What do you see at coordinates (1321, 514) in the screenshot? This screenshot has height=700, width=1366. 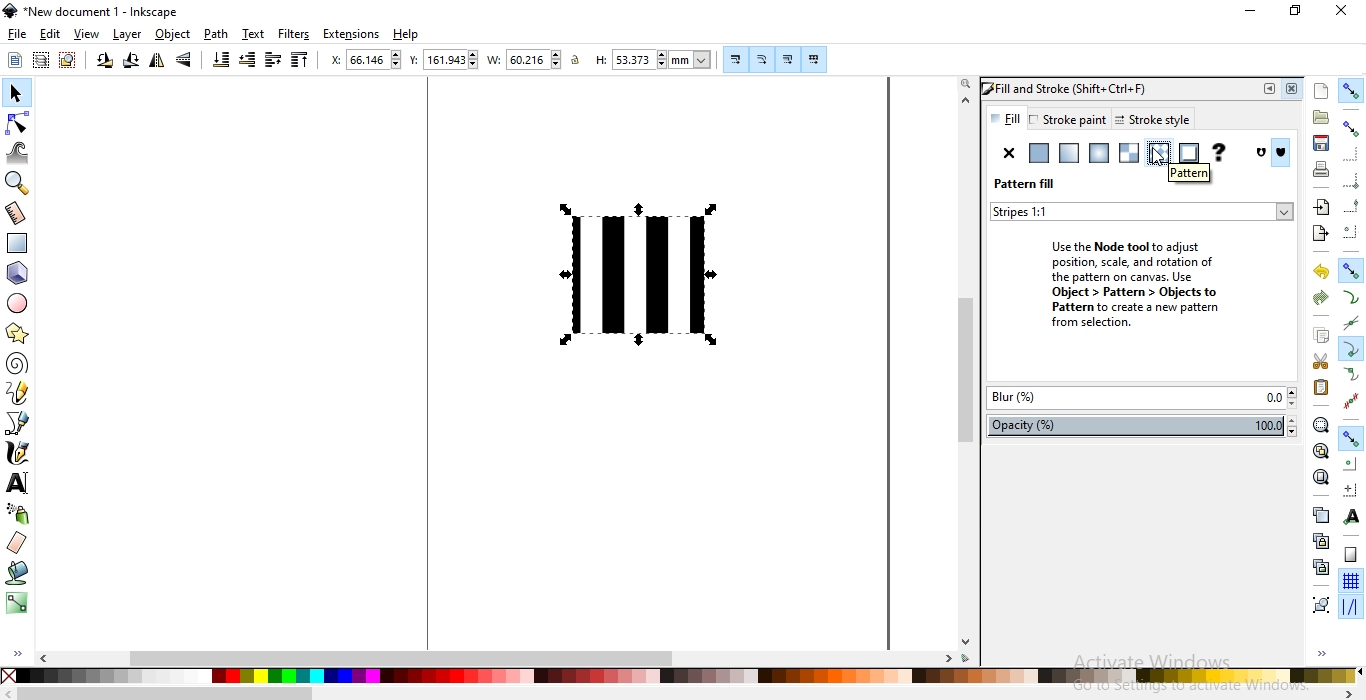 I see `create duplicate` at bounding box center [1321, 514].